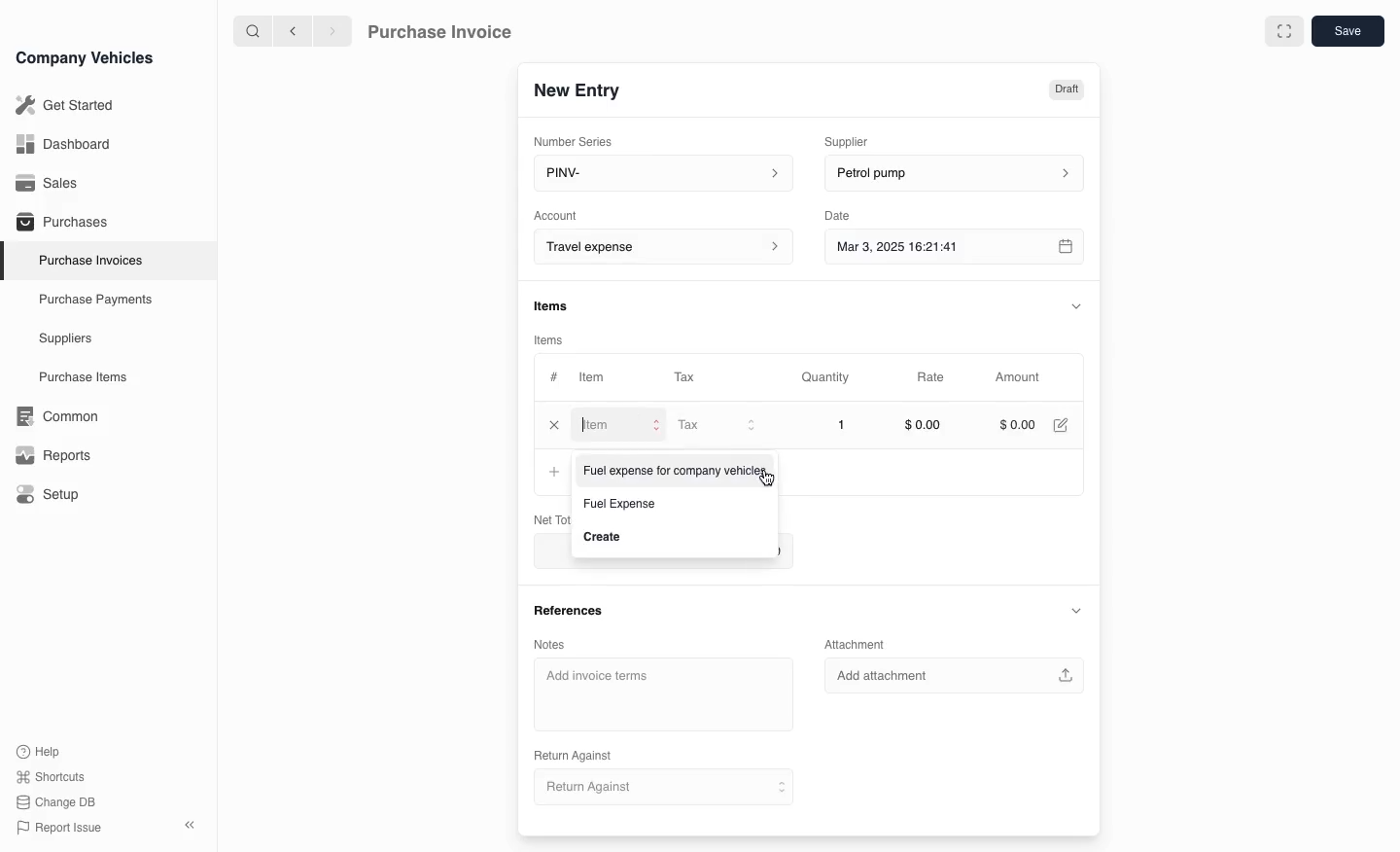  I want to click on Add attachment, so click(956, 675).